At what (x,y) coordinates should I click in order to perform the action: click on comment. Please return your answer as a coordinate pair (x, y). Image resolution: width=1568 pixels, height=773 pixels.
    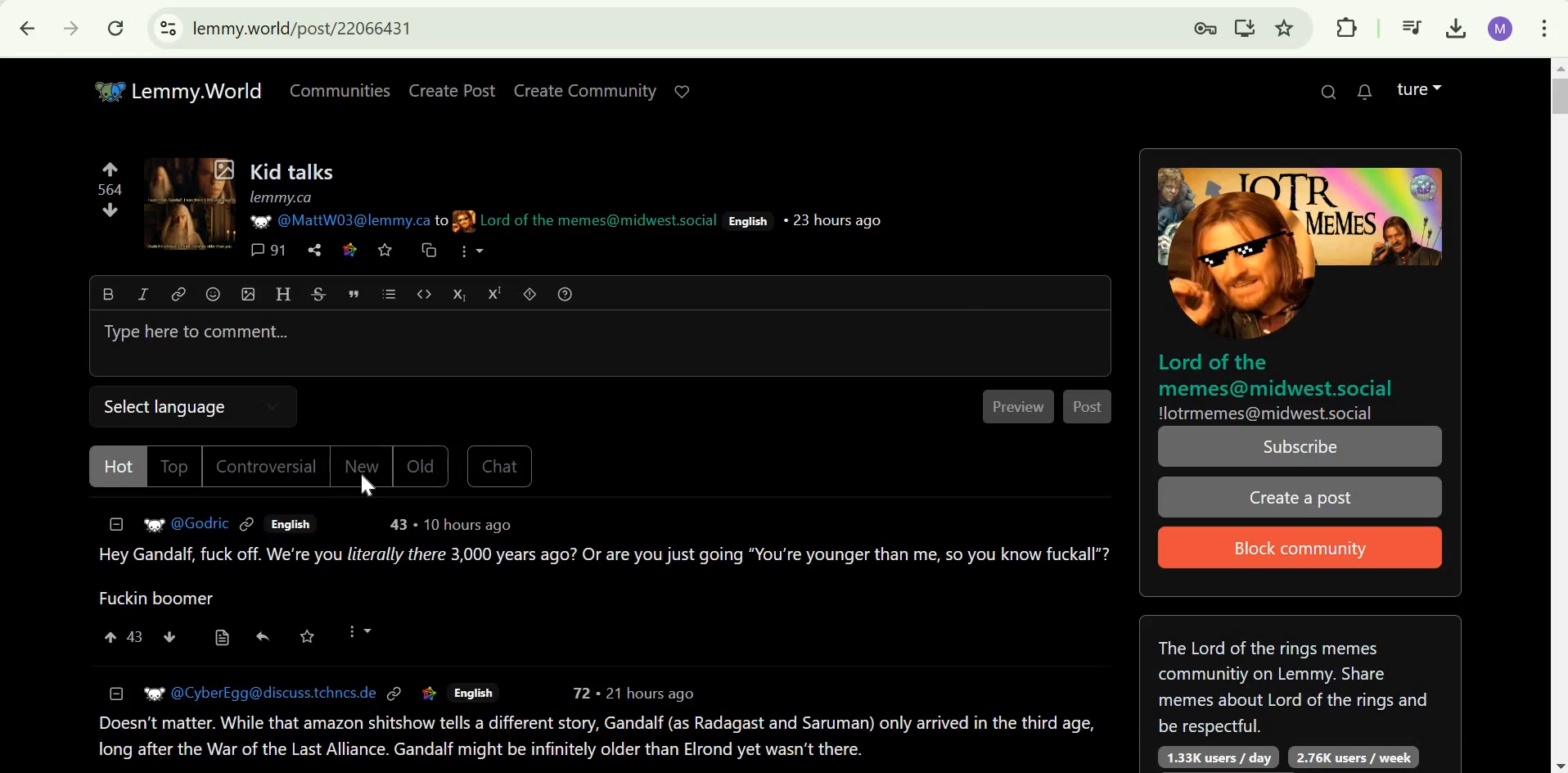
    Looking at the image, I should click on (593, 738).